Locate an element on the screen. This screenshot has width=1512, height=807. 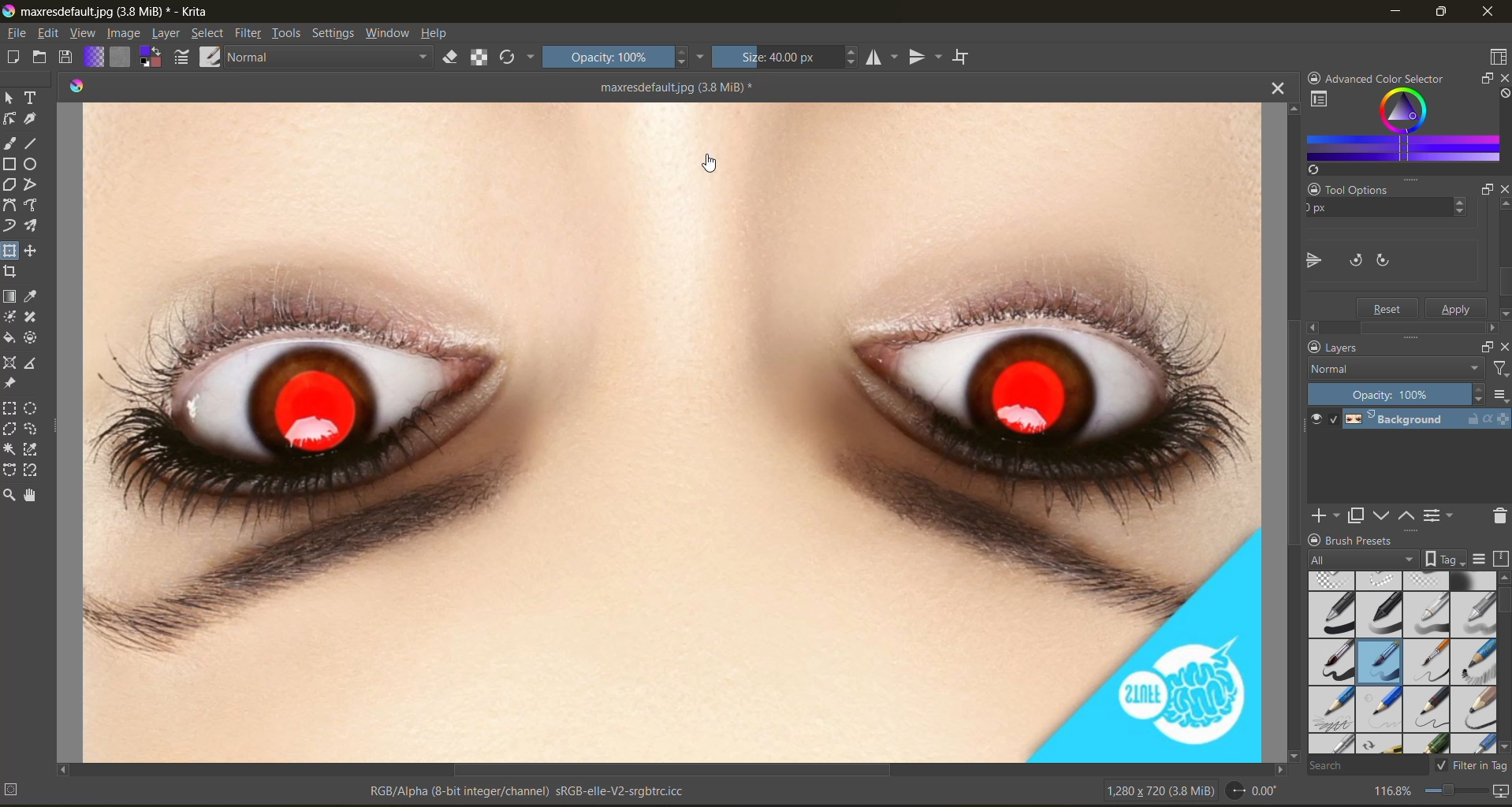
vertical mirror tool is located at coordinates (928, 58).